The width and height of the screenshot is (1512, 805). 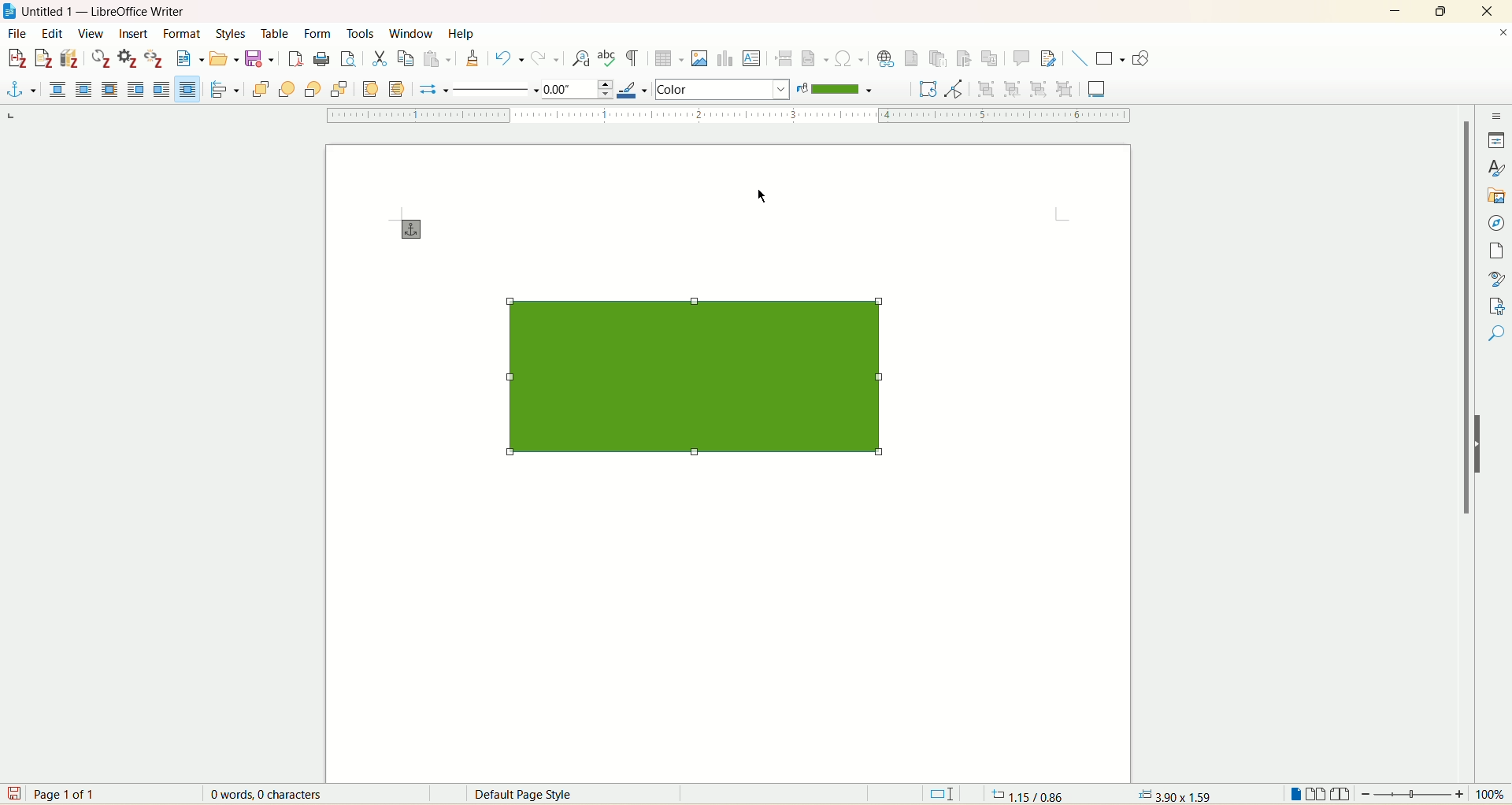 What do you see at coordinates (261, 88) in the screenshot?
I see `bring to front` at bounding box center [261, 88].